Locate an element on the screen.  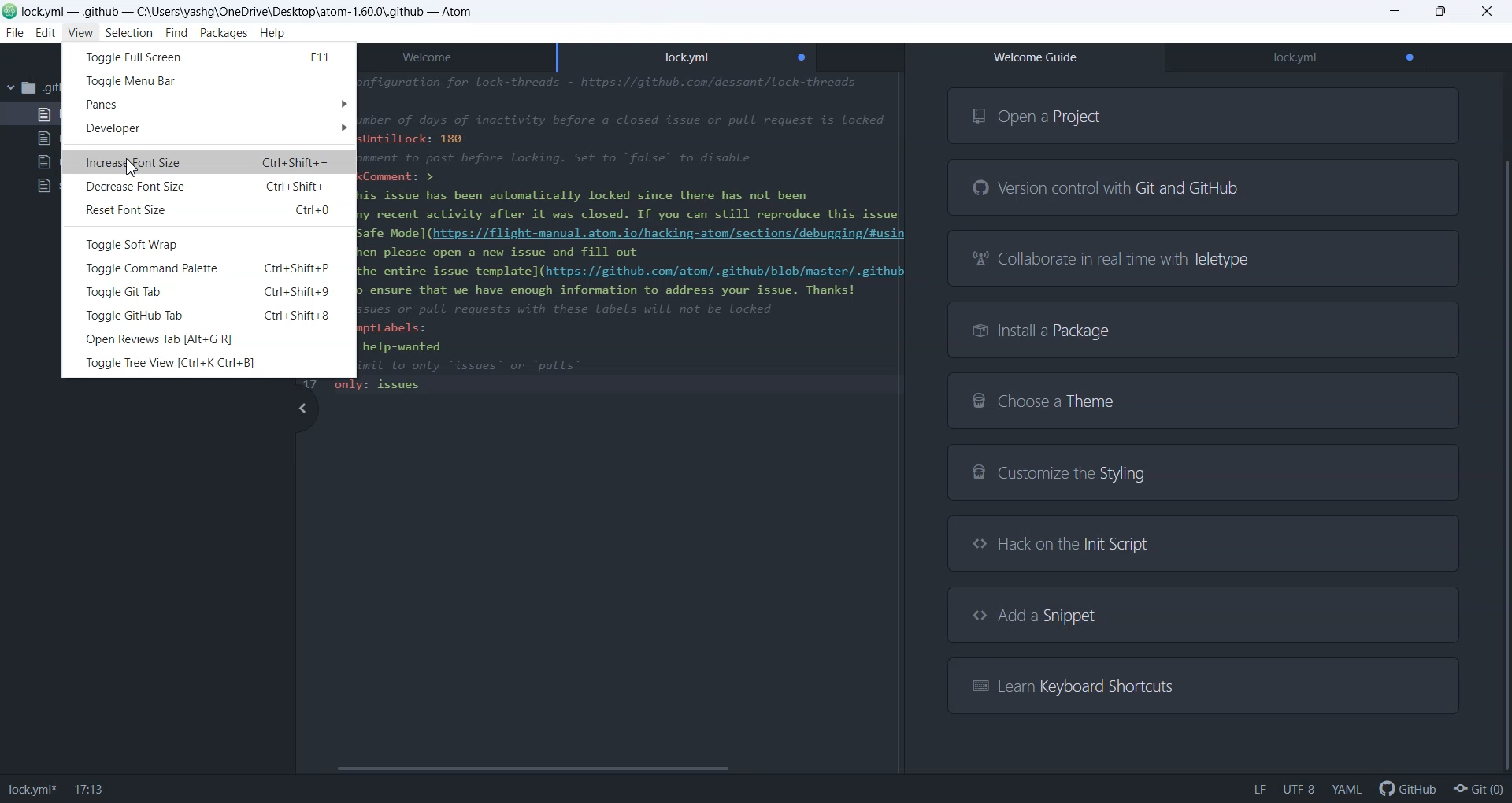
Toggle command palette is located at coordinates (208, 268).